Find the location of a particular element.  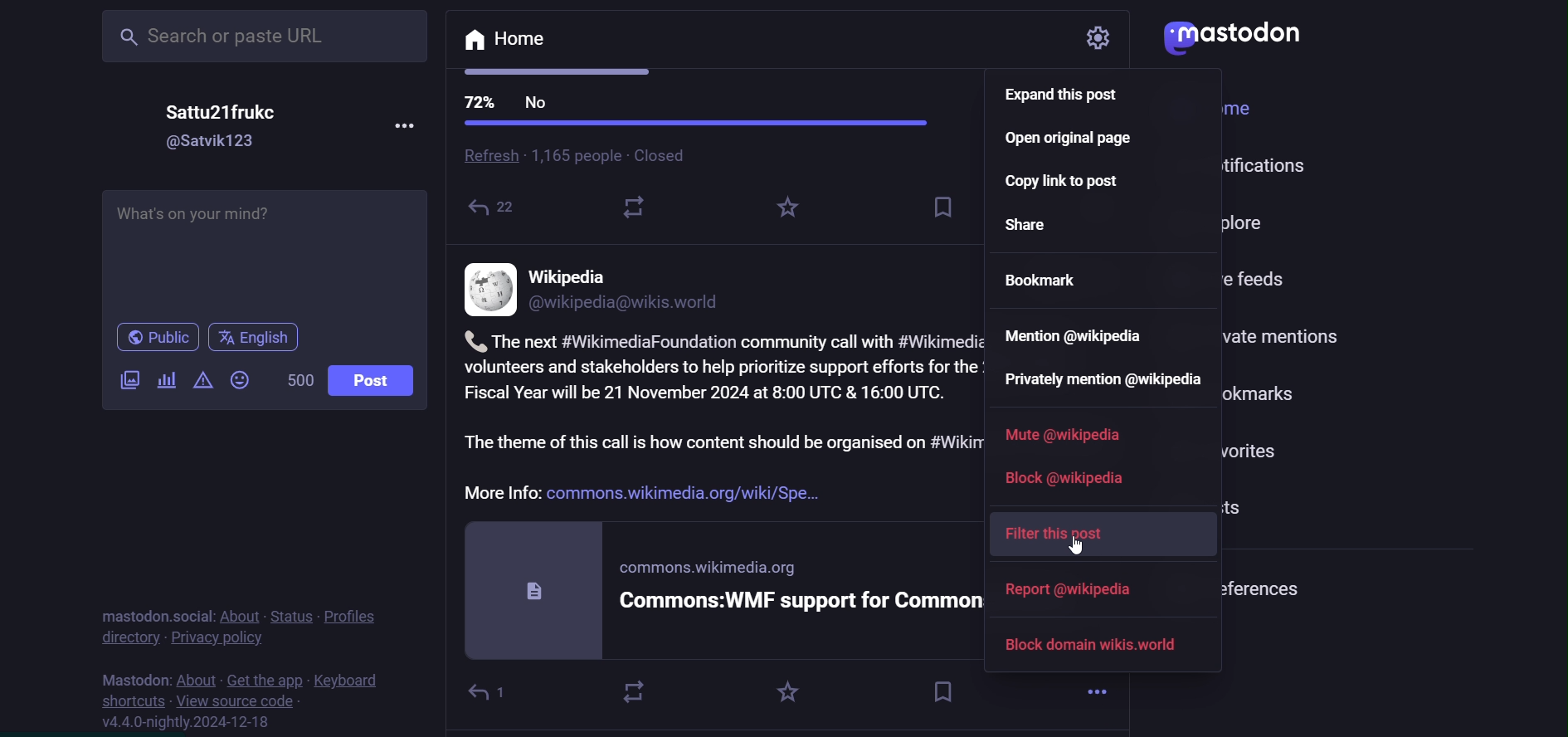

Fiscal Year will be 21 November 2024 at 8:00 UTC & 16:00 UTC. is located at coordinates (719, 393).